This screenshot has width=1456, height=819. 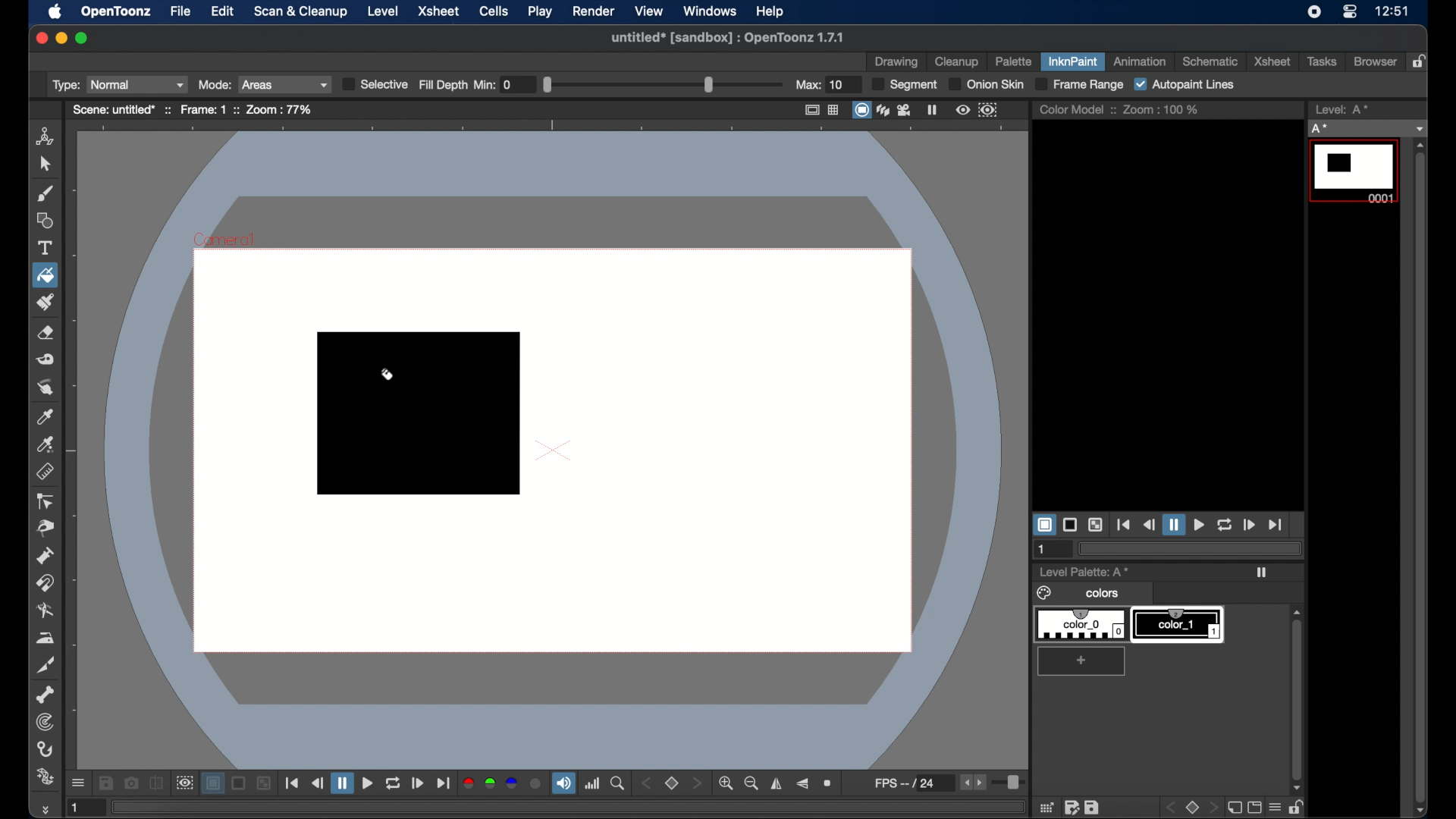 What do you see at coordinates (118, 85) in the screenshot?
I see `Type` at bounding box center [118, 85].